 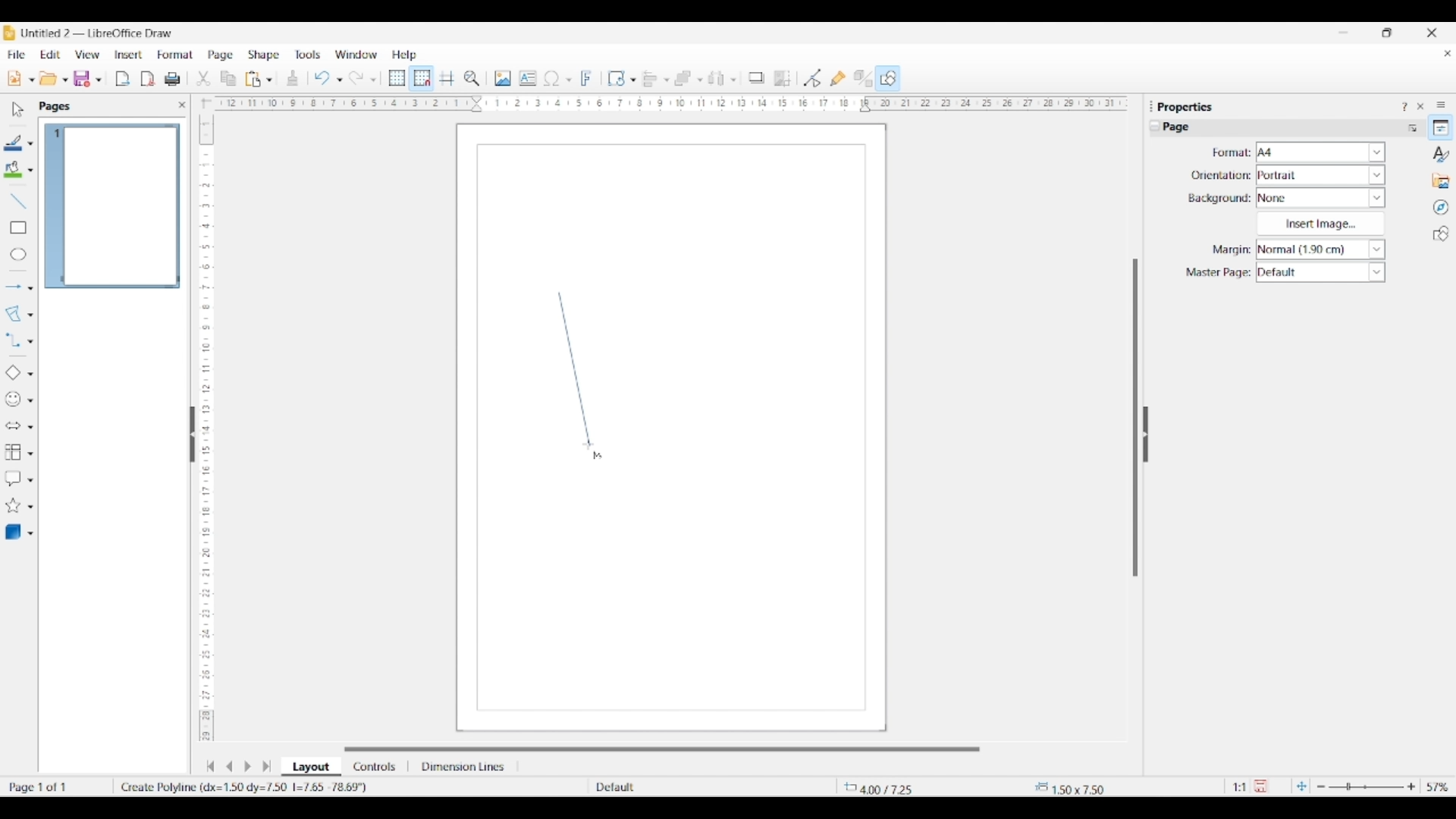 What do you see at coordinates (587, 78) in the screenshot?
I see `Insert fontwork text` at bounding box center [587, 78].